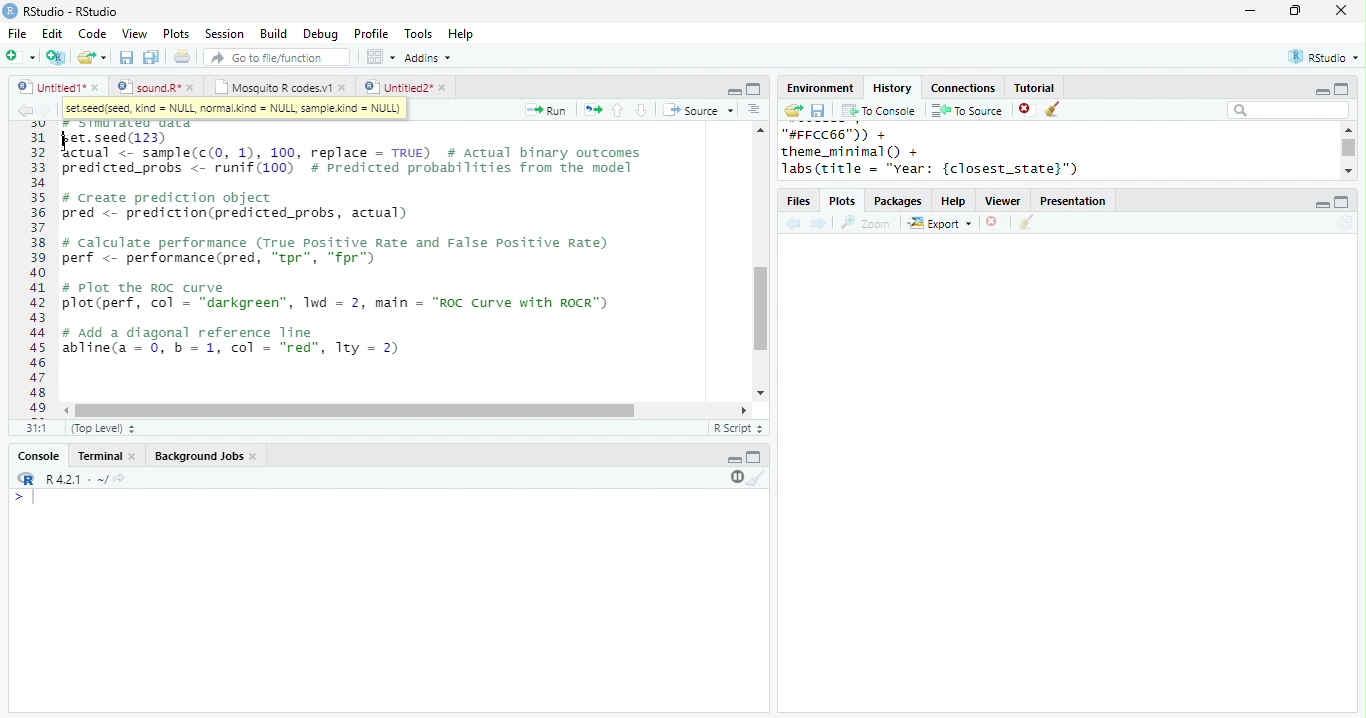  I want to click on R 4.2.1 .~/, so click(73, 480).